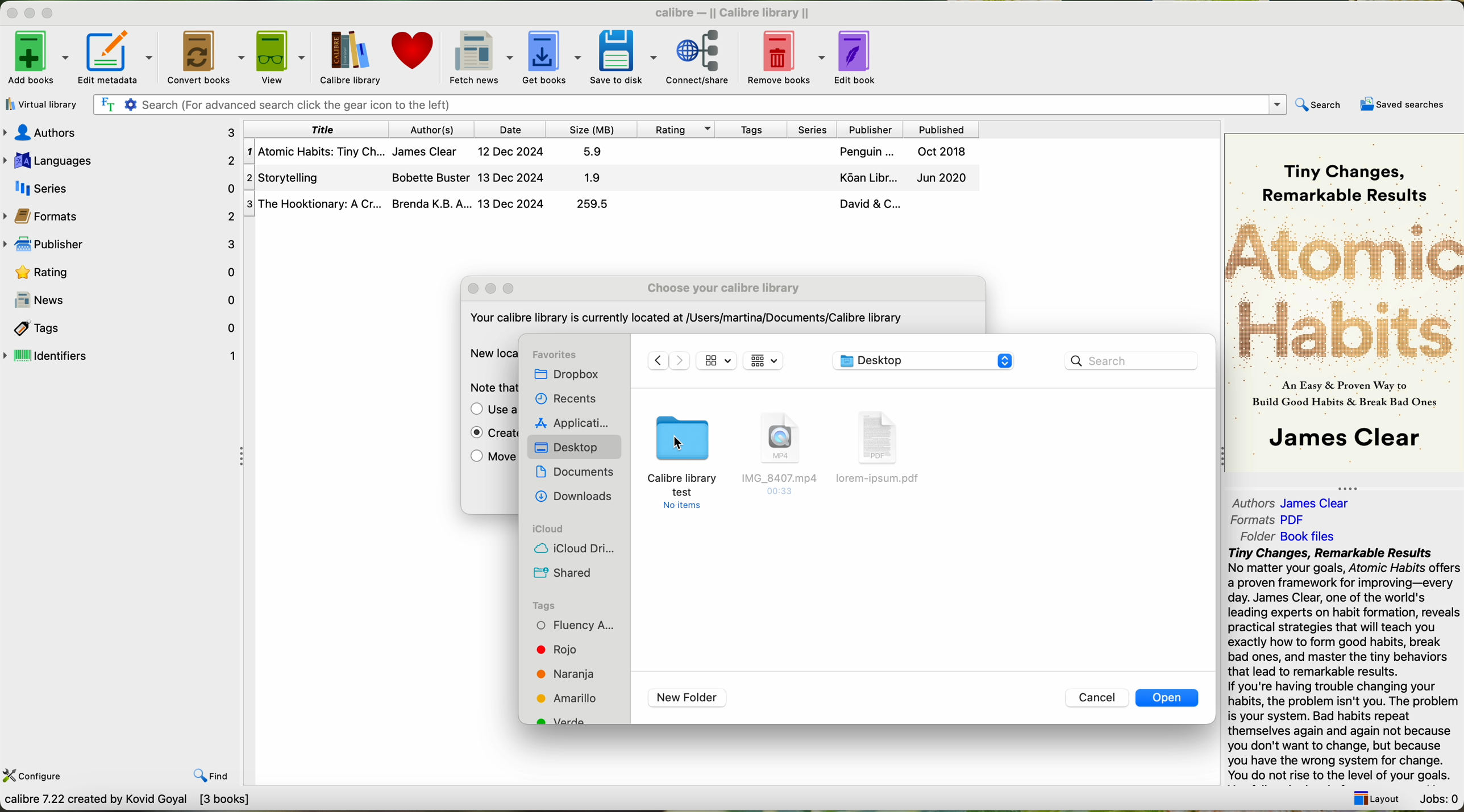 The image size is (1464, 812). What do you see at coordinates (687, 698) in the screenshot?
I see `new folder` at bounding box center [687, 698].